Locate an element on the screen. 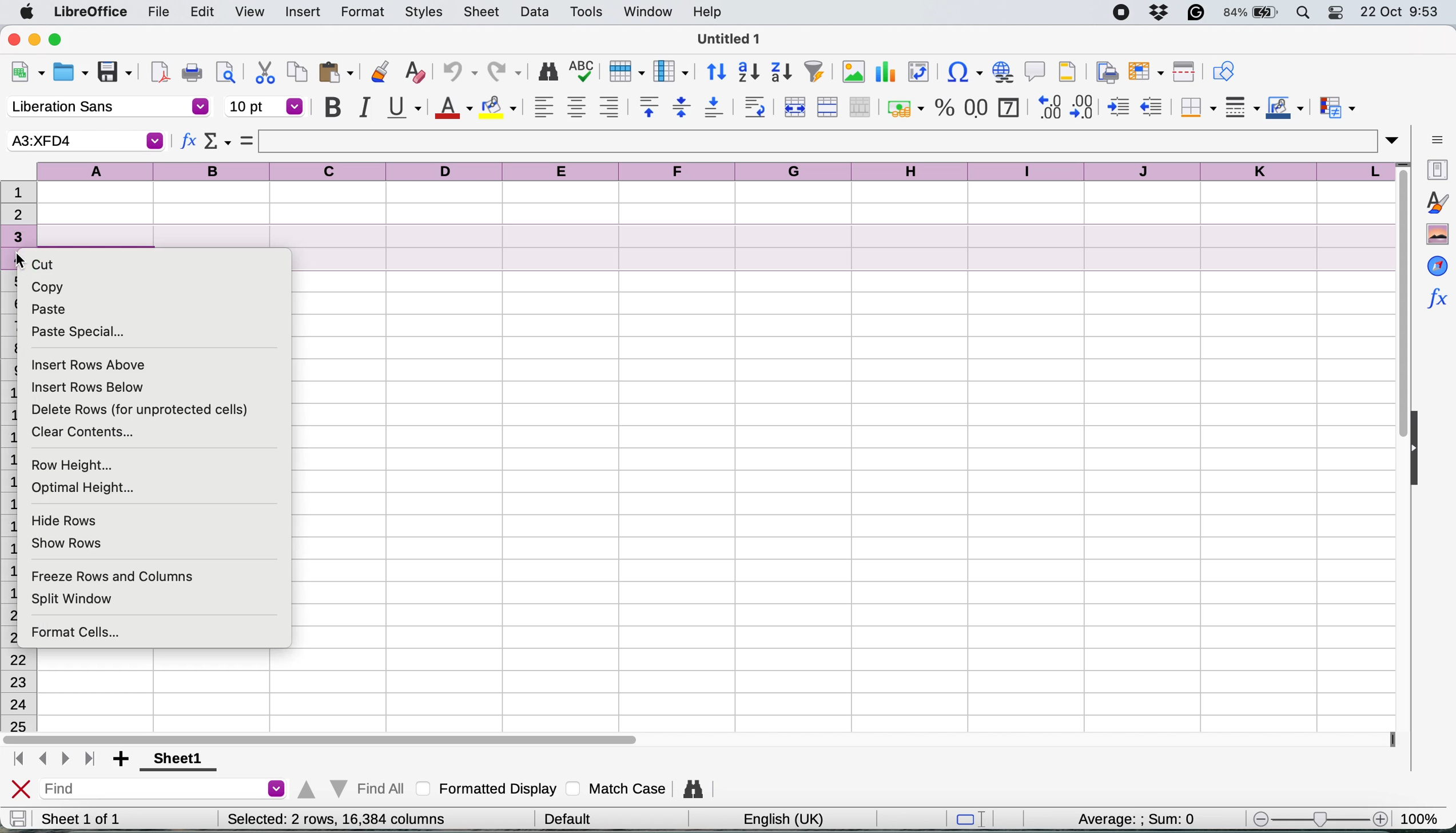  cut is located at coordinates (51, 265).